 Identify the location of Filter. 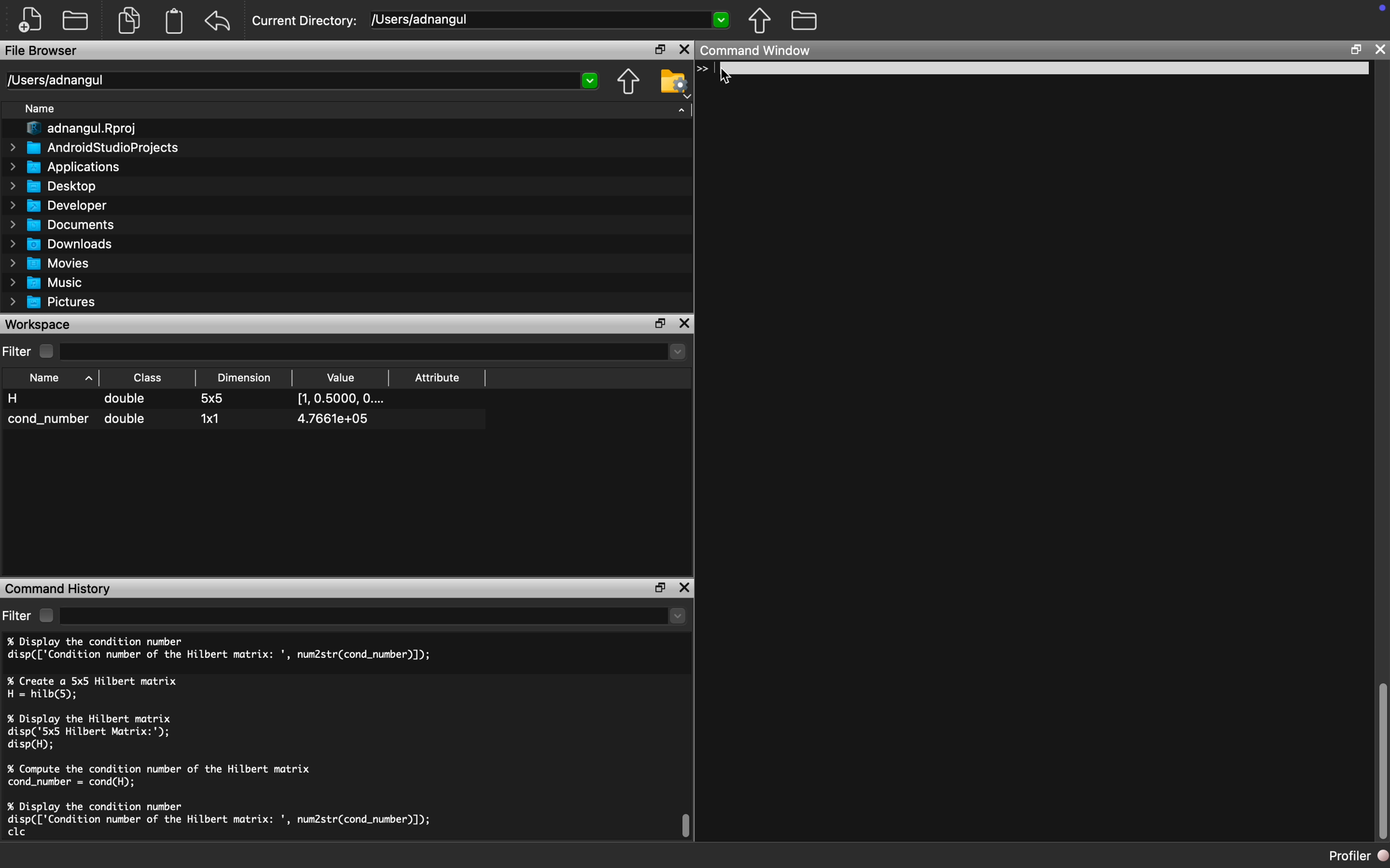
(18, 615).